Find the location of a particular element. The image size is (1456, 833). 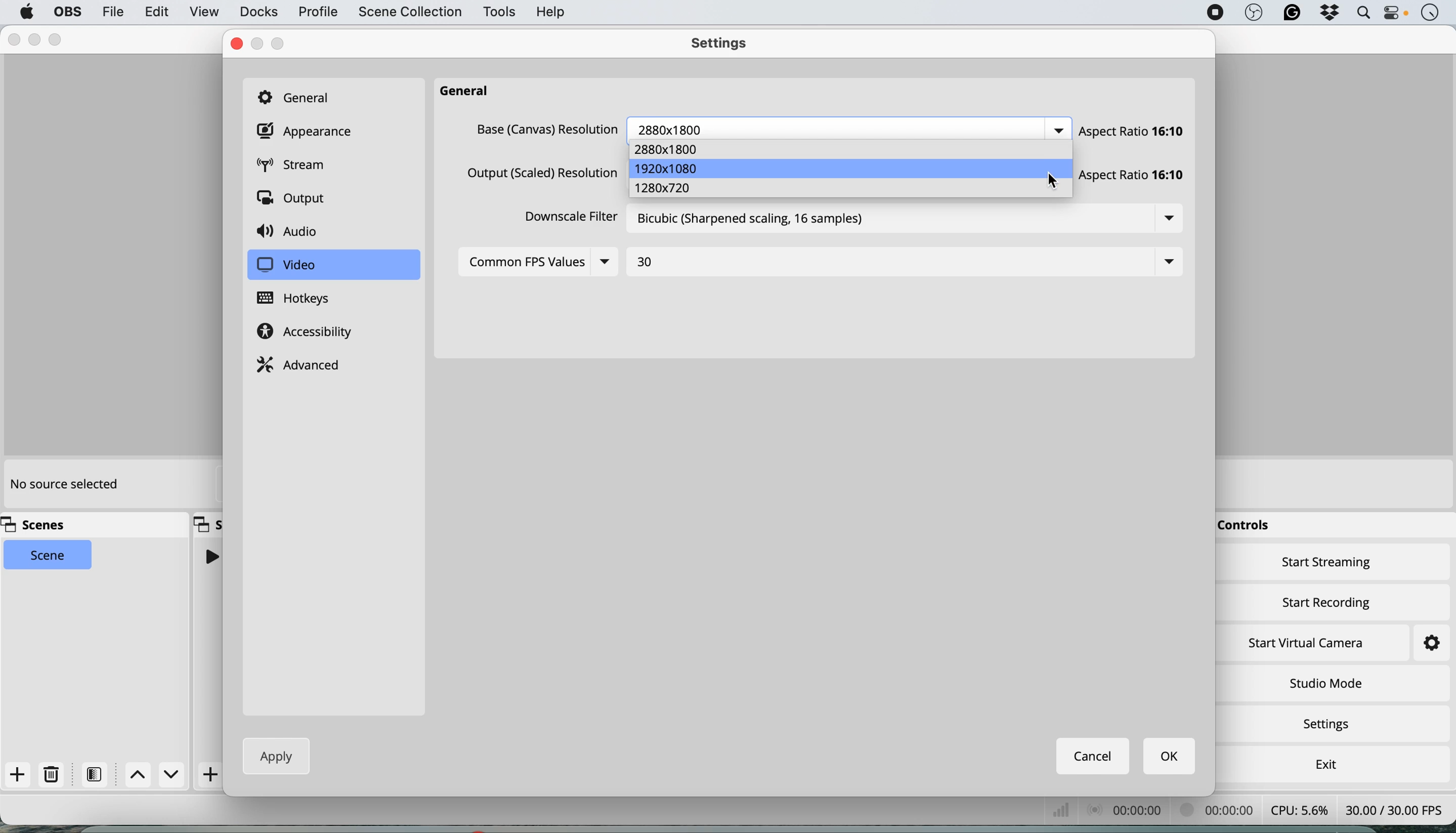

delete scene is located at coordinates (52, 775).